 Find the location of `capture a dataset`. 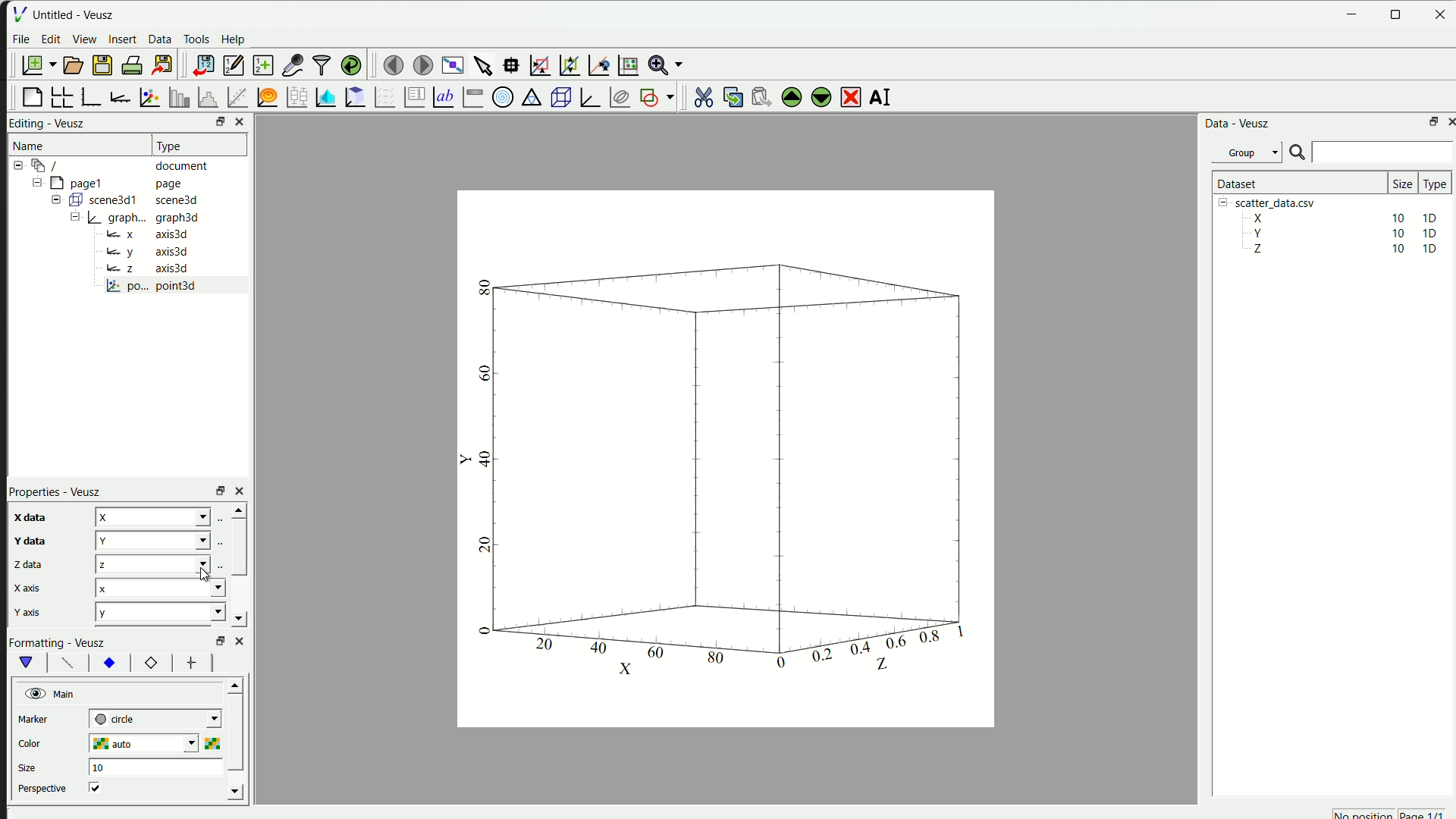

capture a dataset is located at coordinates (292, 63).